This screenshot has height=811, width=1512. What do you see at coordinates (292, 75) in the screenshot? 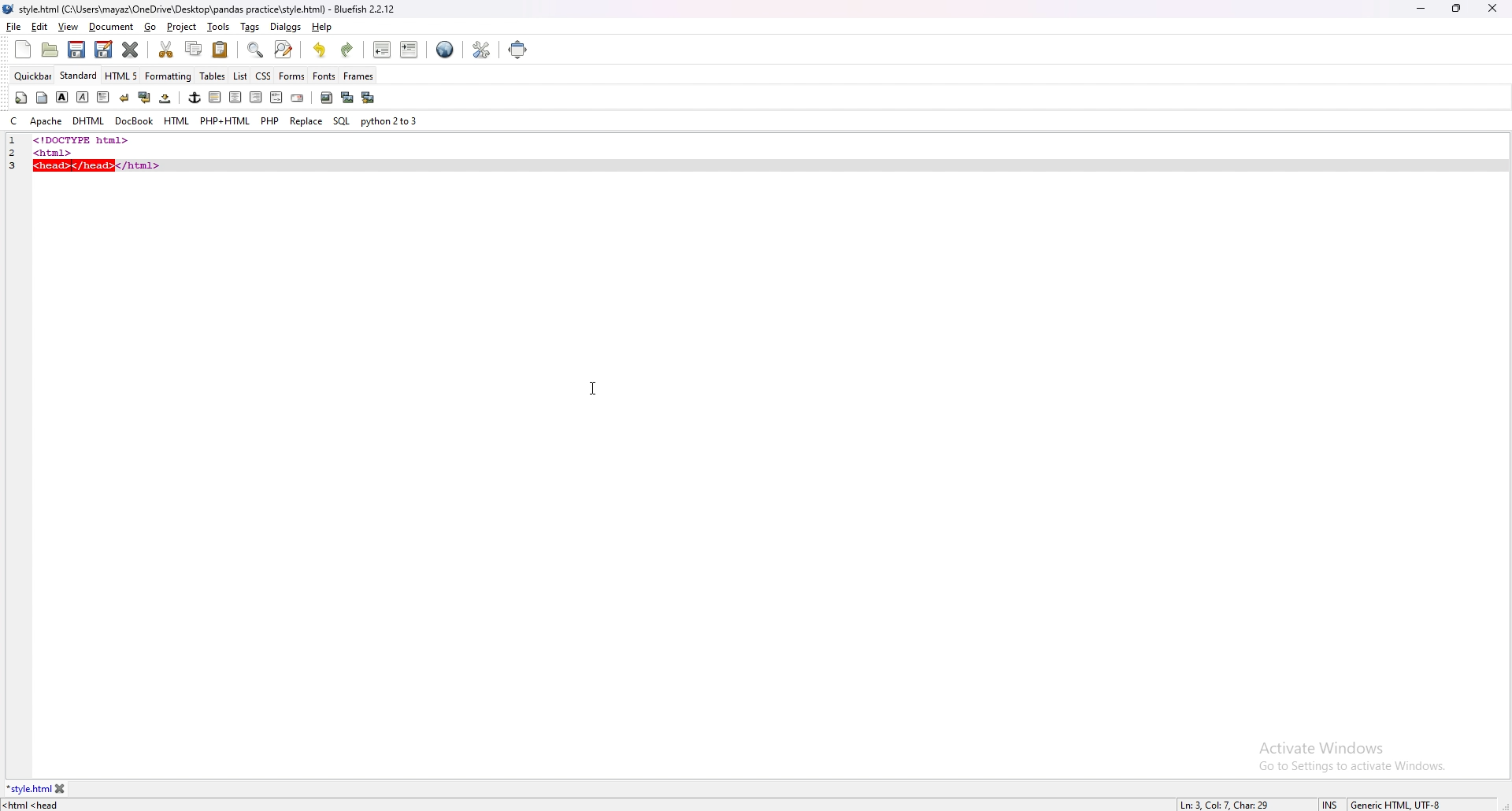
I see `forms` at bounding box center [292, 75].